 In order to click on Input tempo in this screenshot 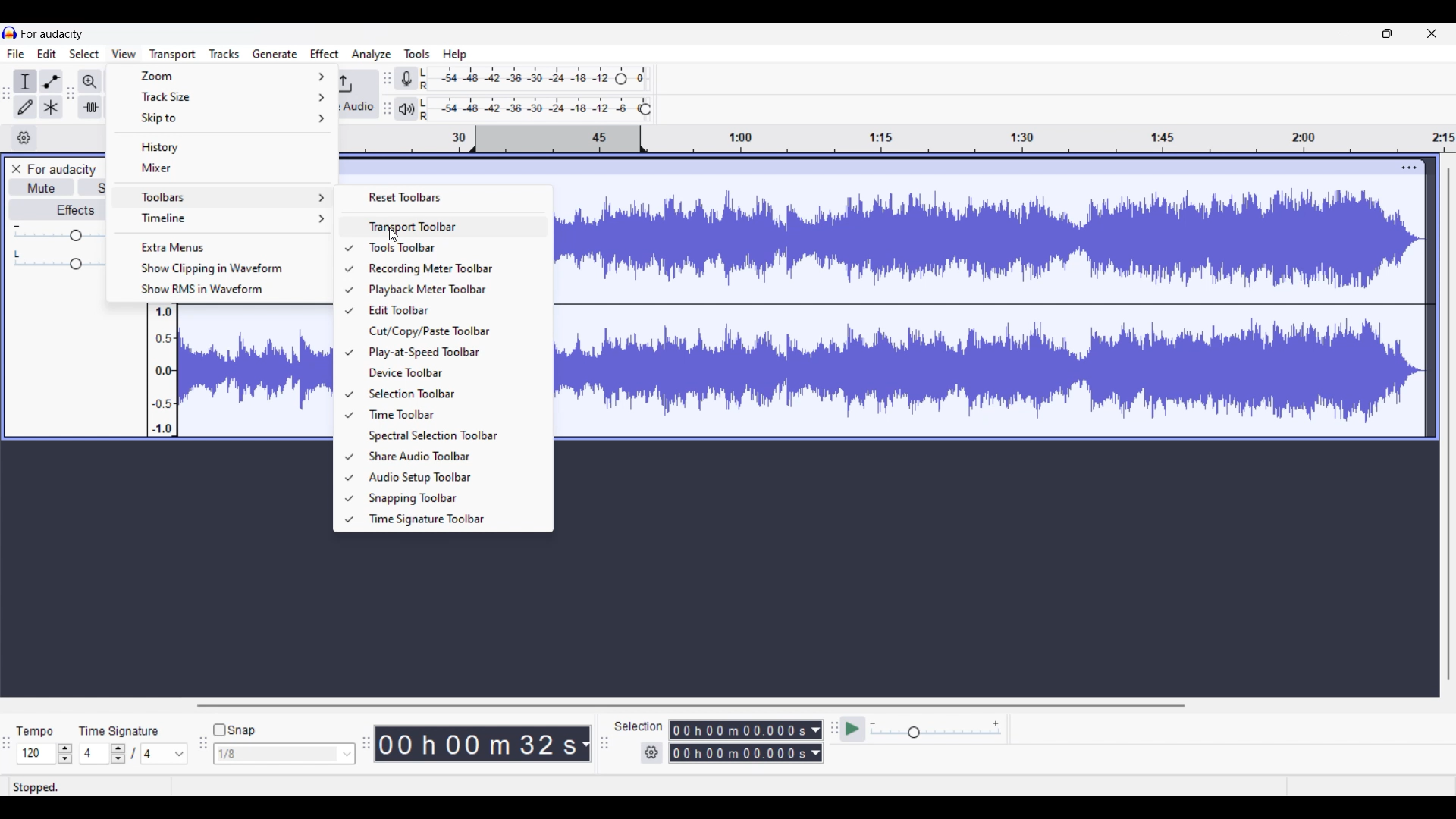, I will do `click(35, 753)`.